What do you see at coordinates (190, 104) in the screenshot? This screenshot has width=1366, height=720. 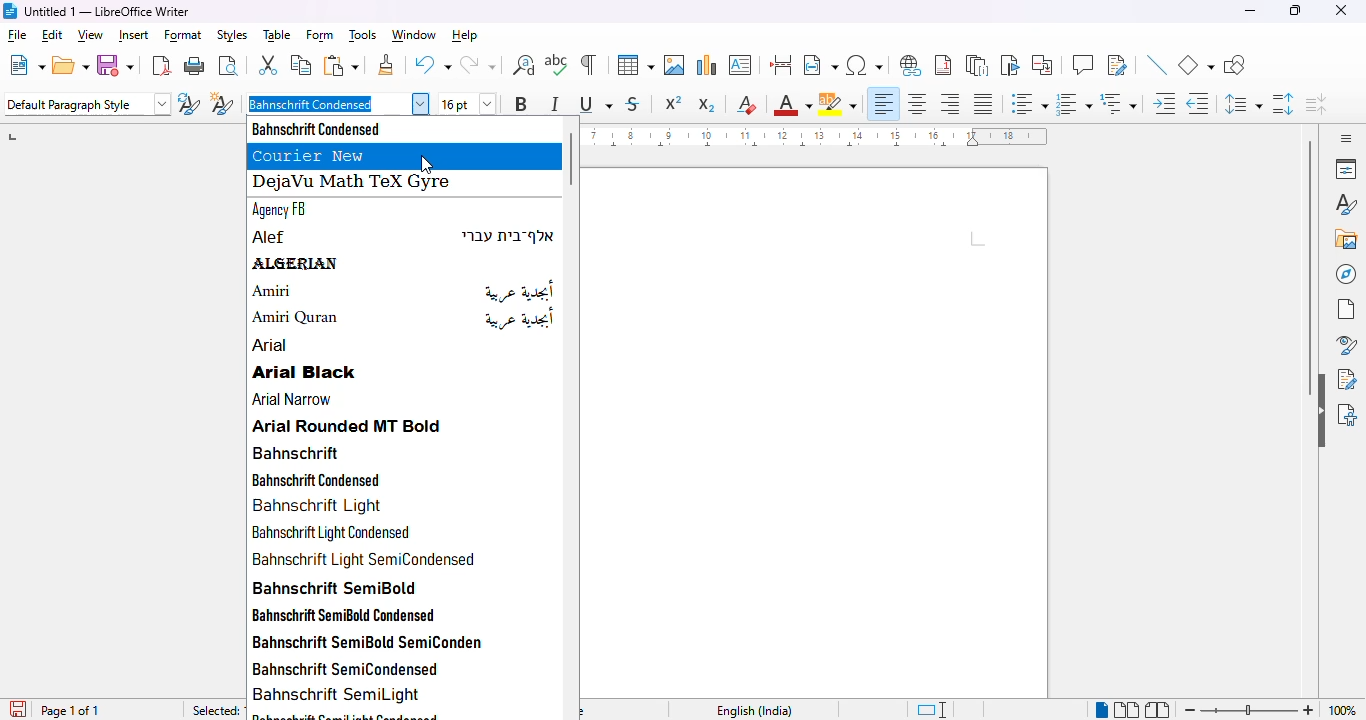 I see `update selected style` at bounding box center [190, 104].